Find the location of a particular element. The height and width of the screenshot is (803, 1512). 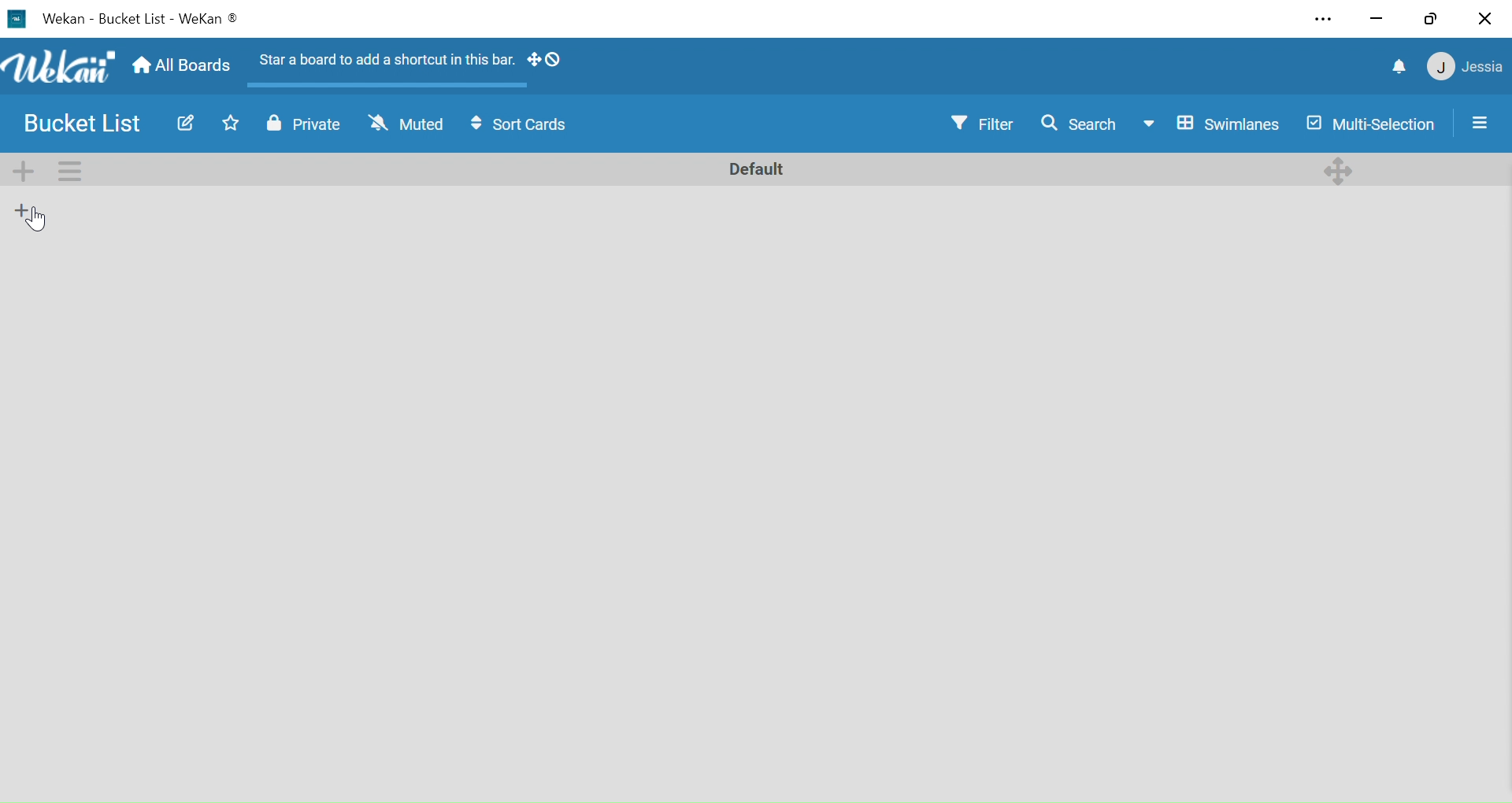

Search is located at coordinates (1078, 123).